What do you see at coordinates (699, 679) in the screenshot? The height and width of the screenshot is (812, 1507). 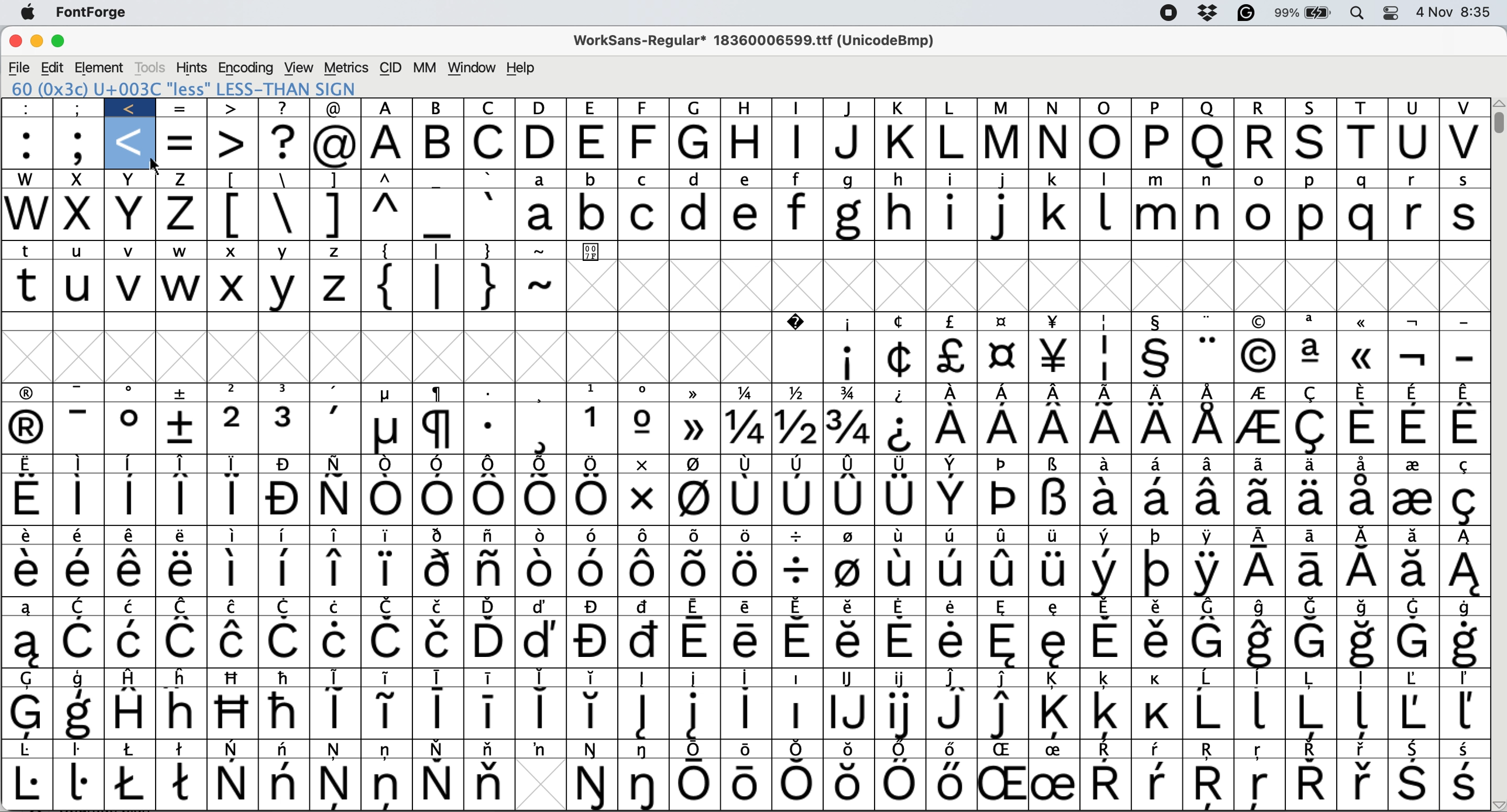 I see `Symbol` at bounding box center [699, 679].